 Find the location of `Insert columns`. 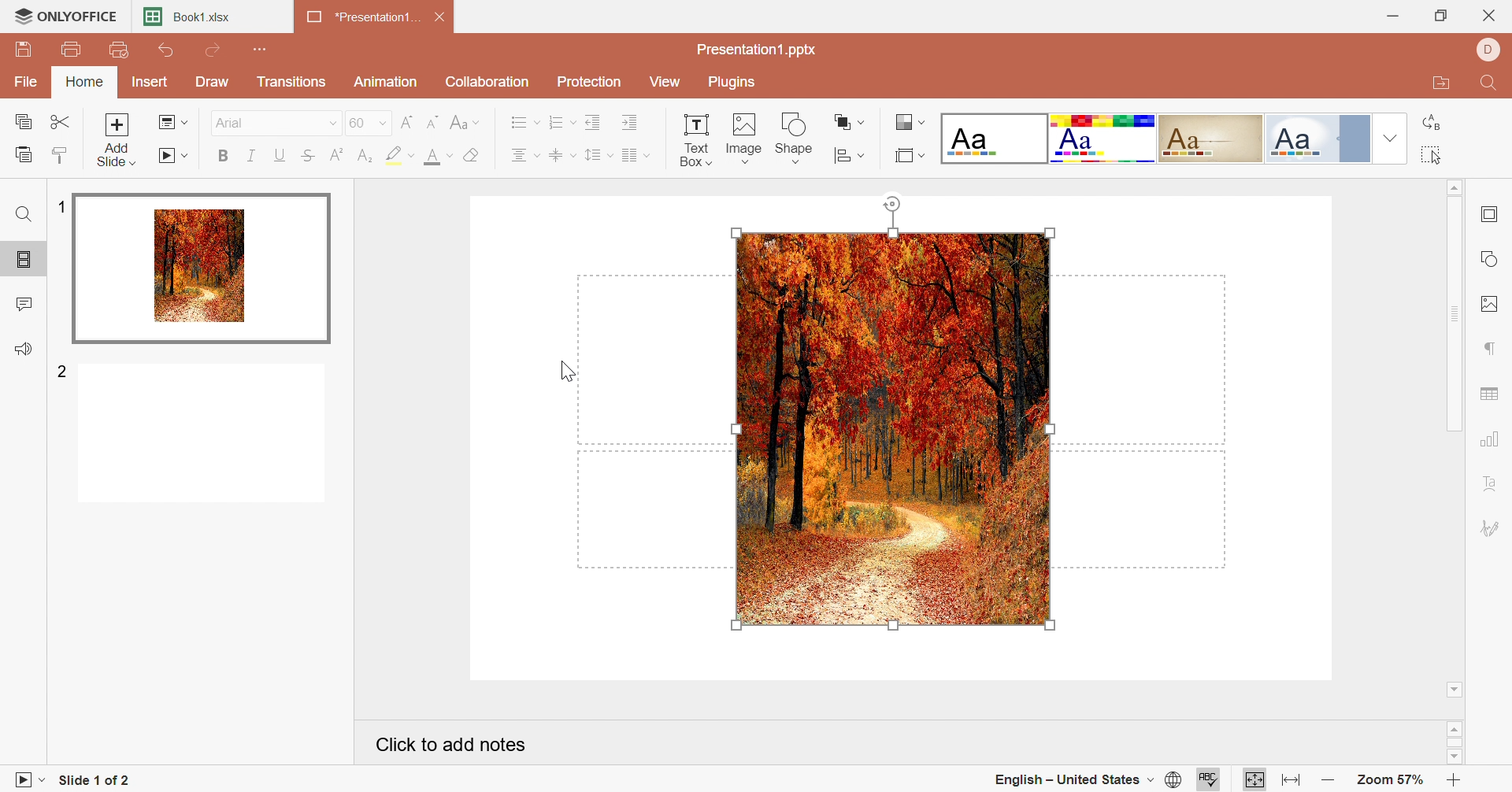

Insert columns is located at coordinates (636, 154).